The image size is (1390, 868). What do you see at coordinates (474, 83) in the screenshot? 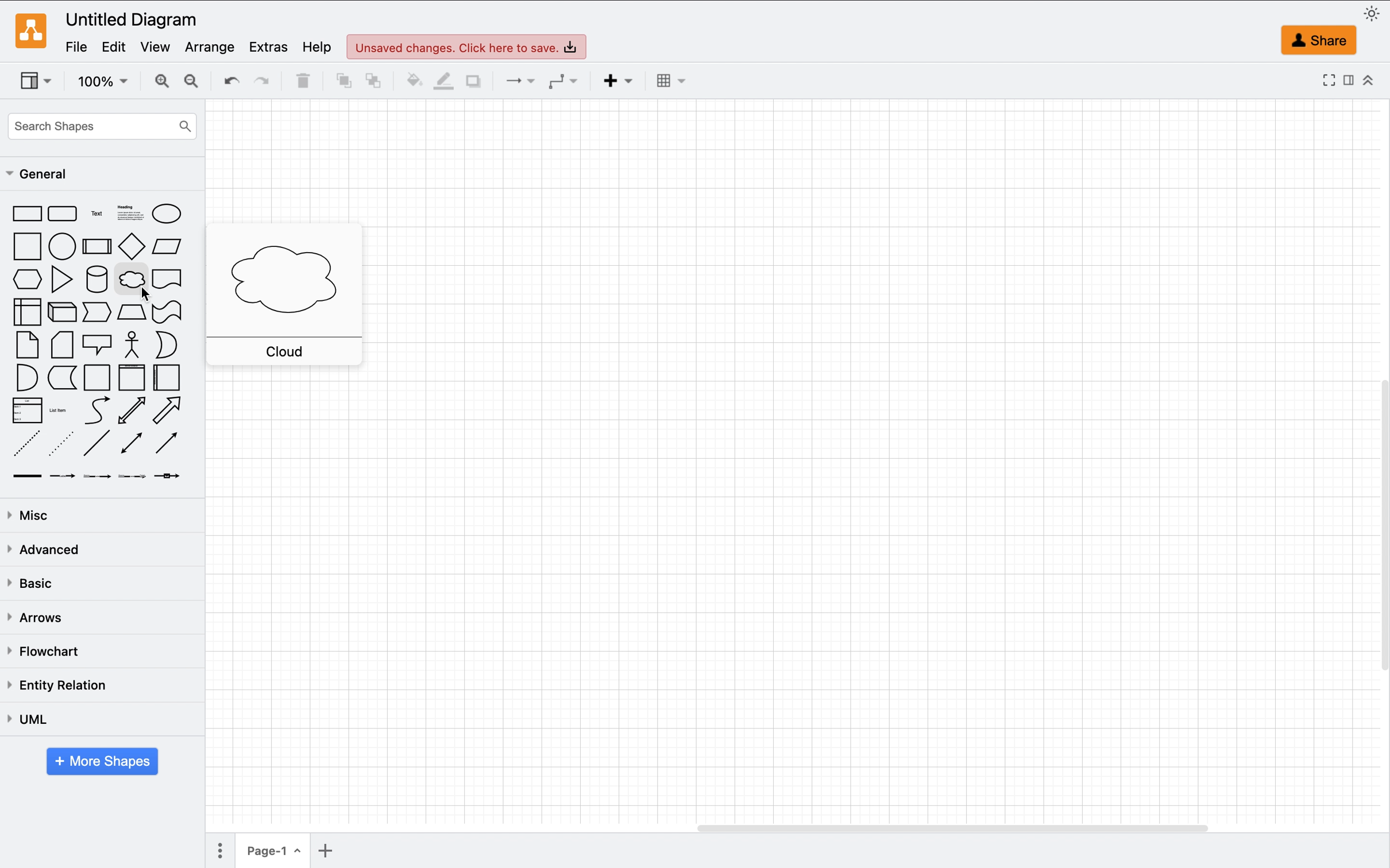
I see `shadow` at bounding box center [474, 83].